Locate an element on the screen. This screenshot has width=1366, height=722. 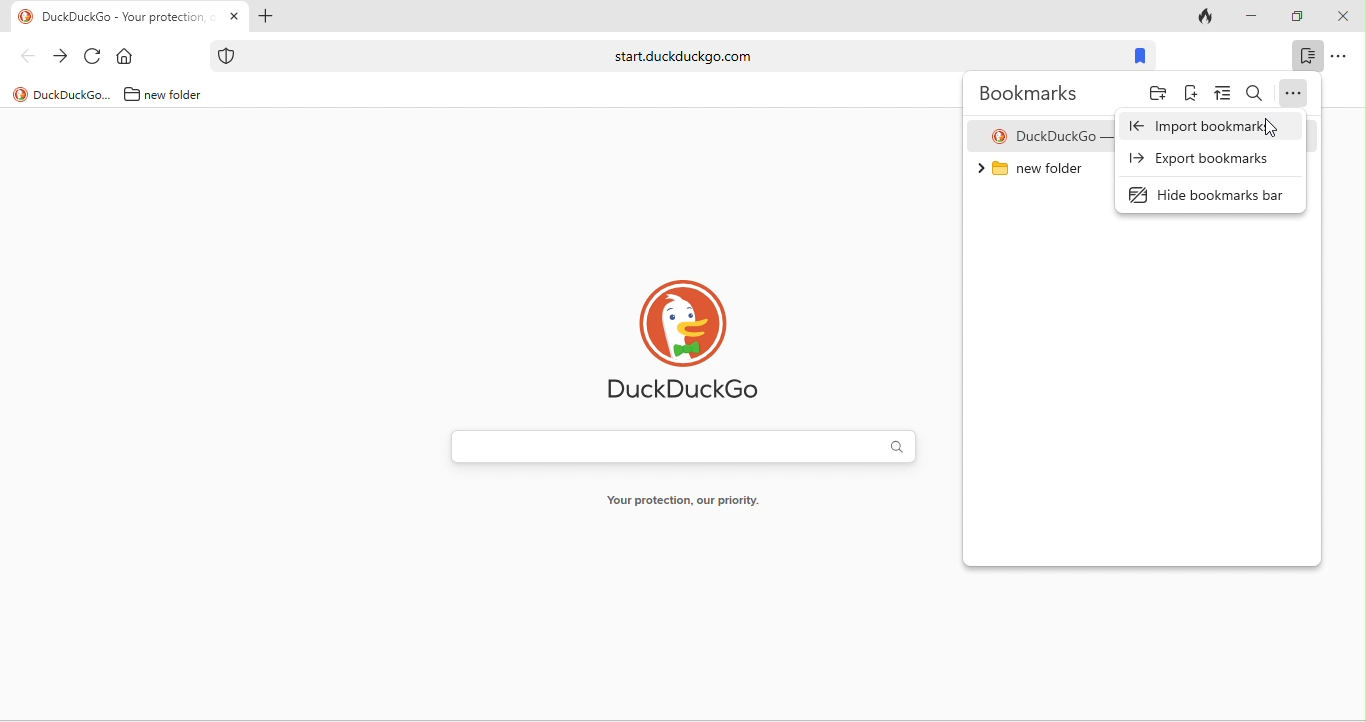
minimize is located at coordinates (1250, 17).